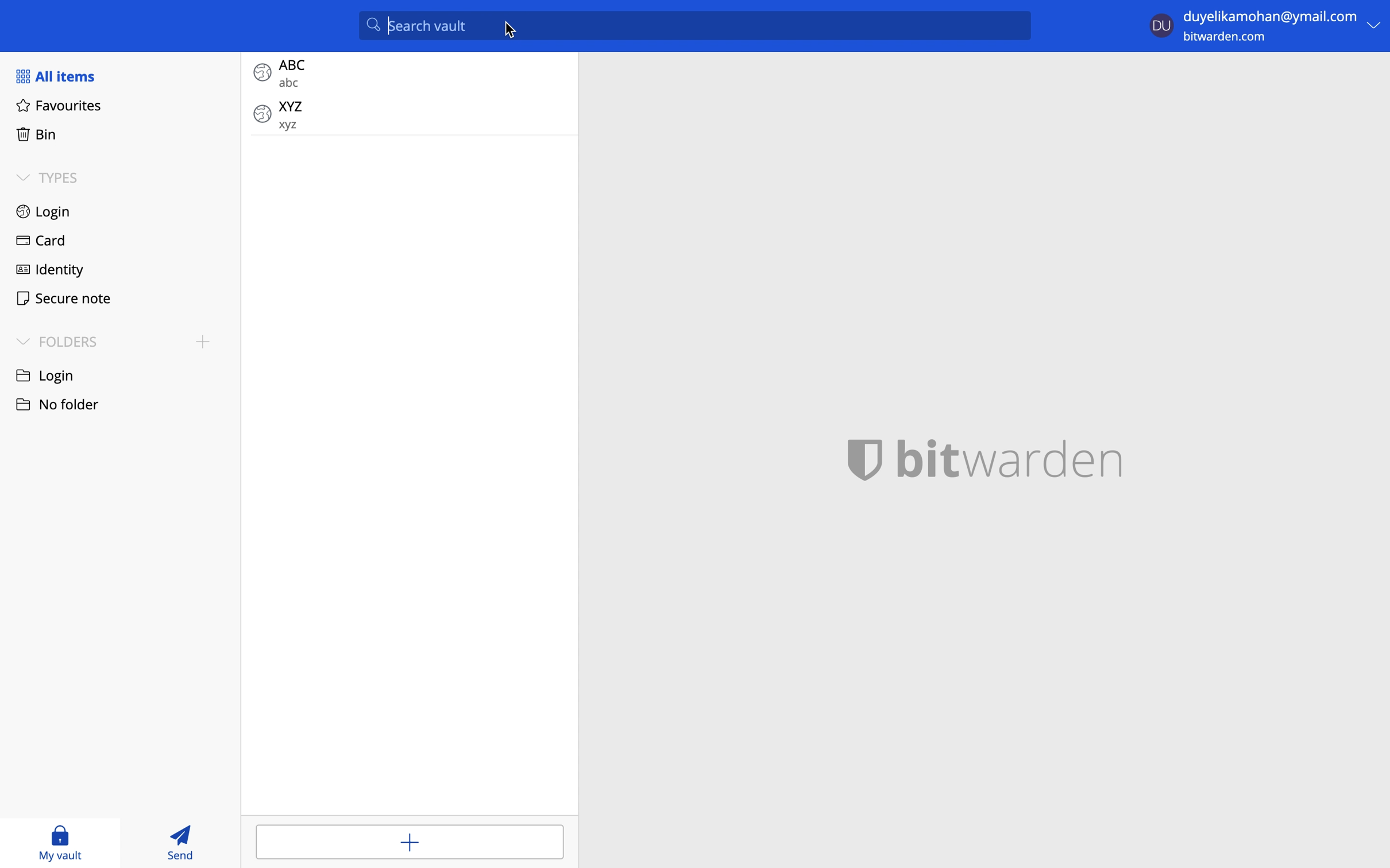 Image resolution: width=1390 pixels, height=868 pixels. Describe the element at coordinates (187, 842) in the screenshot. I see `send` at that location.